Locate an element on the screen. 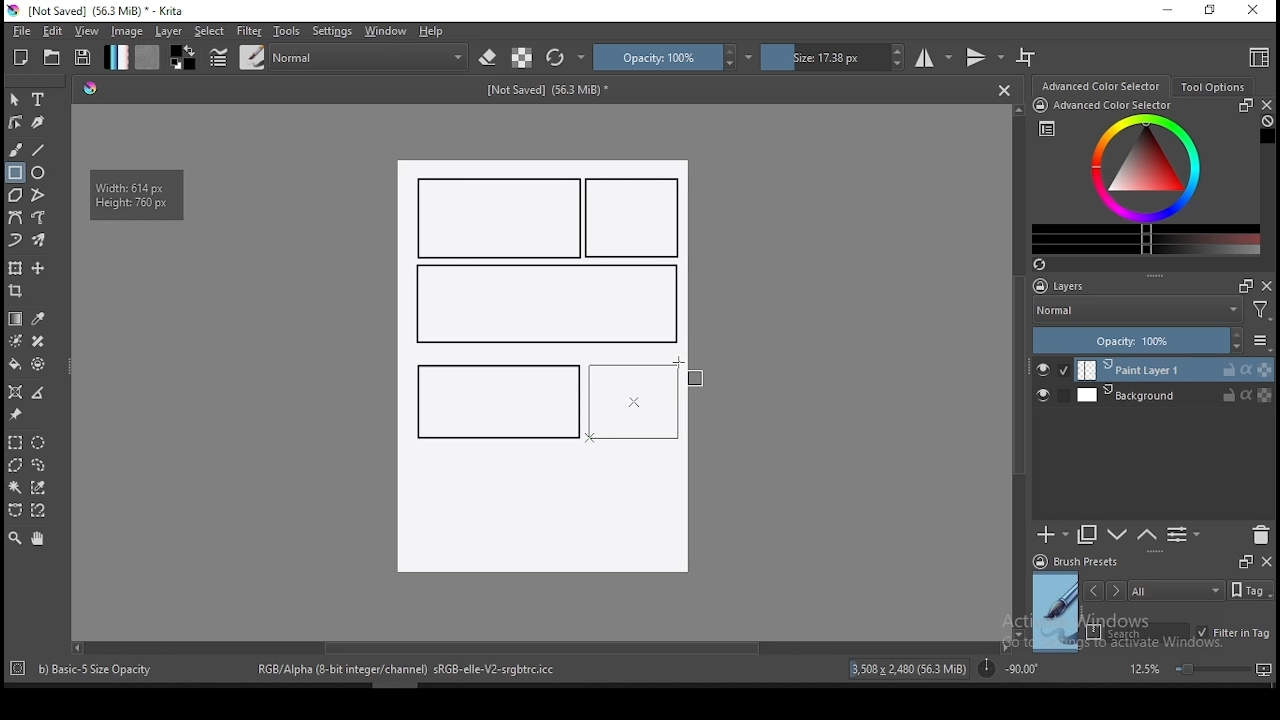  move a layer is located at coordinates (38, 269).